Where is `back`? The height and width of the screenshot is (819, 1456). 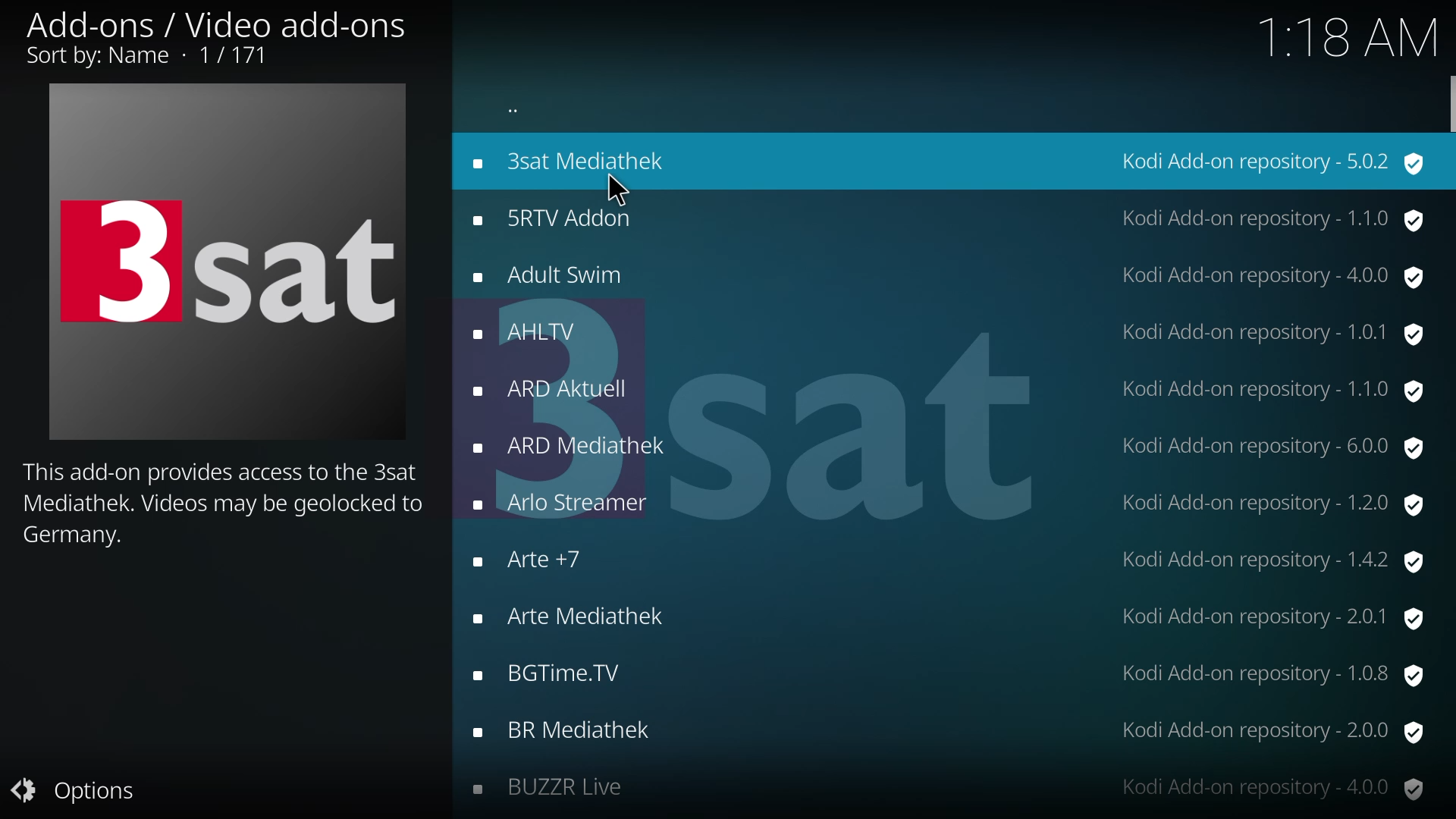
back is located at coordinates (519, 111).